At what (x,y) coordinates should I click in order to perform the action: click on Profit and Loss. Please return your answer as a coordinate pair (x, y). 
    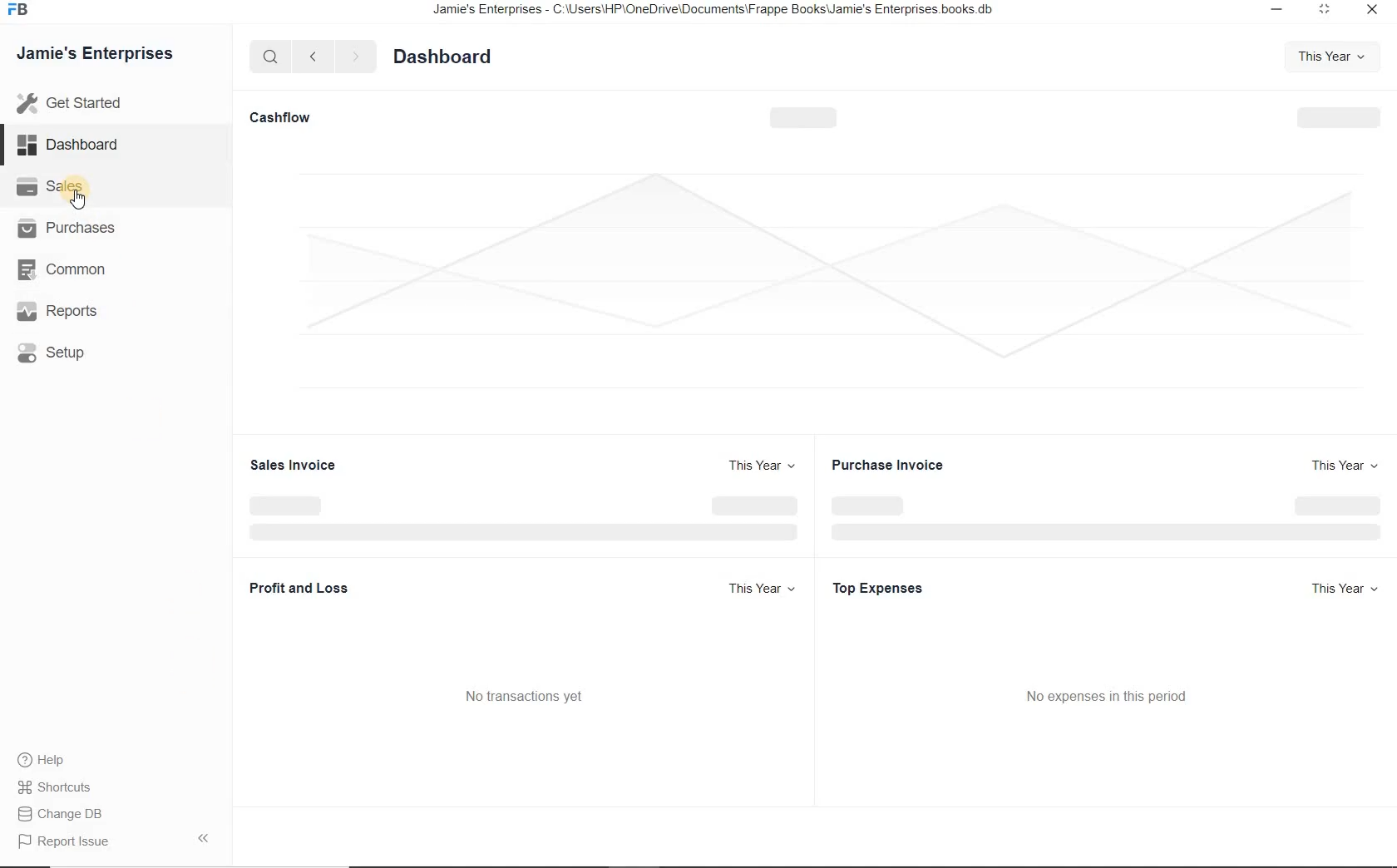
    Looking at the image, I should click on (293, 589).